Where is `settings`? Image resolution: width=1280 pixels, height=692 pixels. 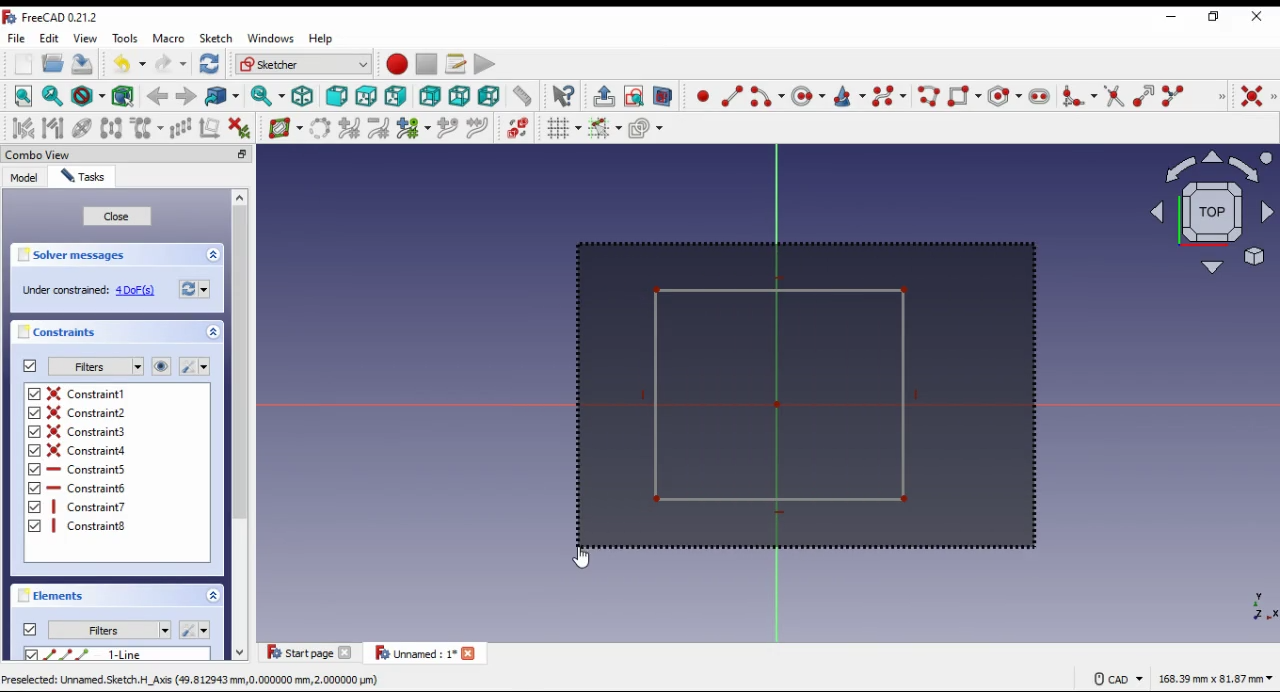
settings is located at coordinates (194, 366).